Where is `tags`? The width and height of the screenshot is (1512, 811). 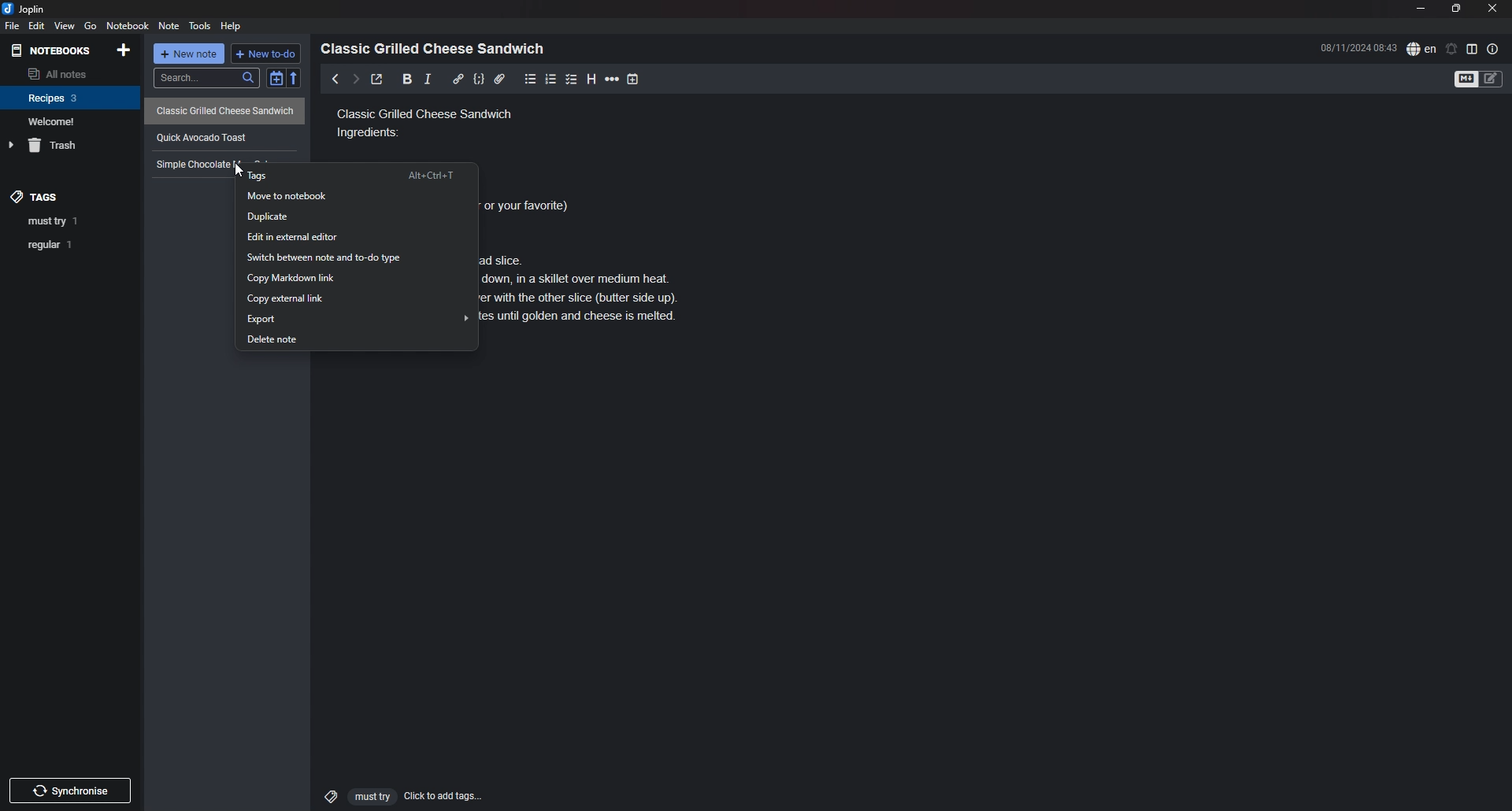 tags is located at coordinates (357, 175).